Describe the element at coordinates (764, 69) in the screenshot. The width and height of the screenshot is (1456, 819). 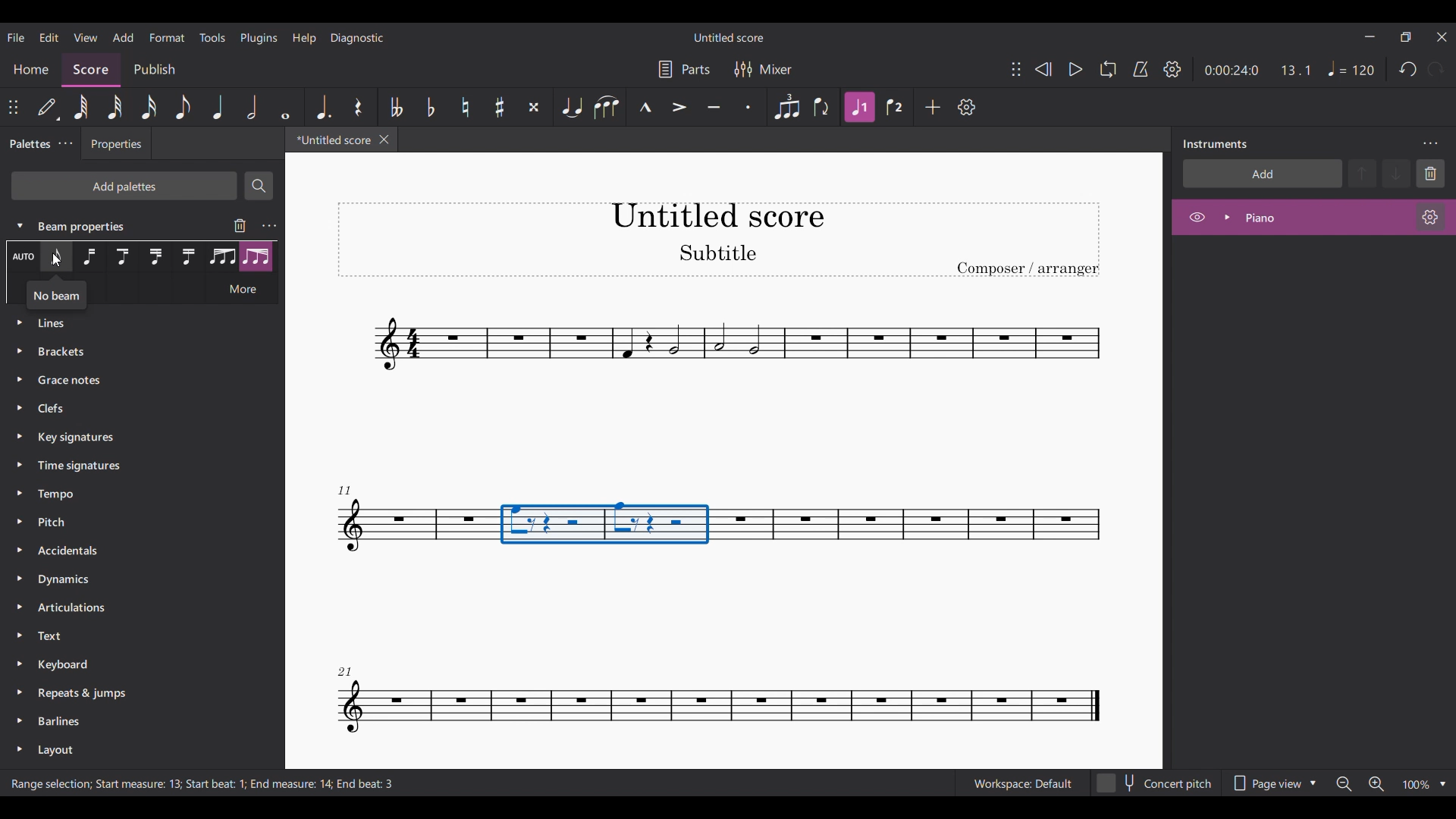
I see `Mixer settings` at that location.